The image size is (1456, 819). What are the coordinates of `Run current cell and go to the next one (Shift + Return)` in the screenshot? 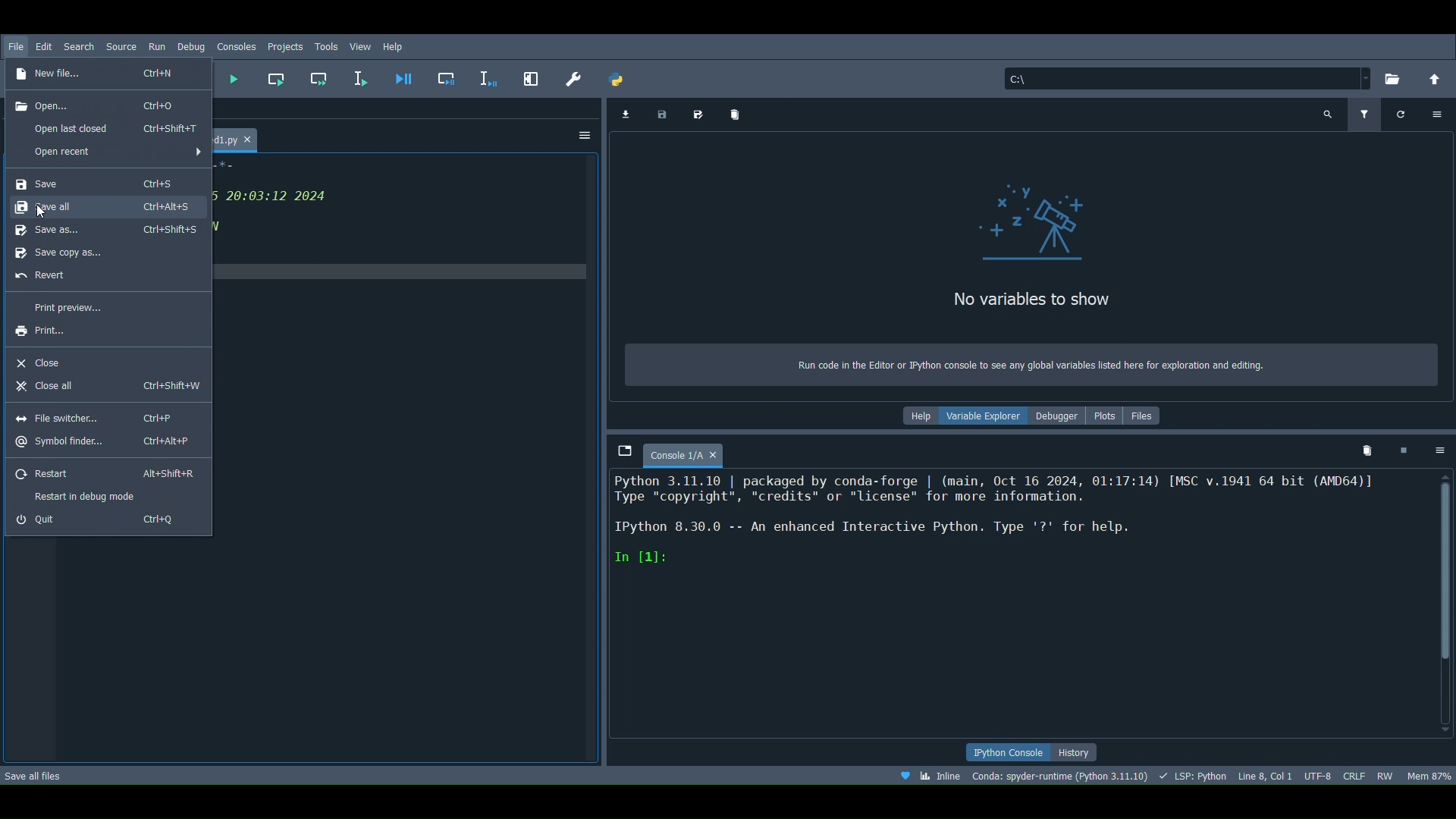 It's located at (322, 78).